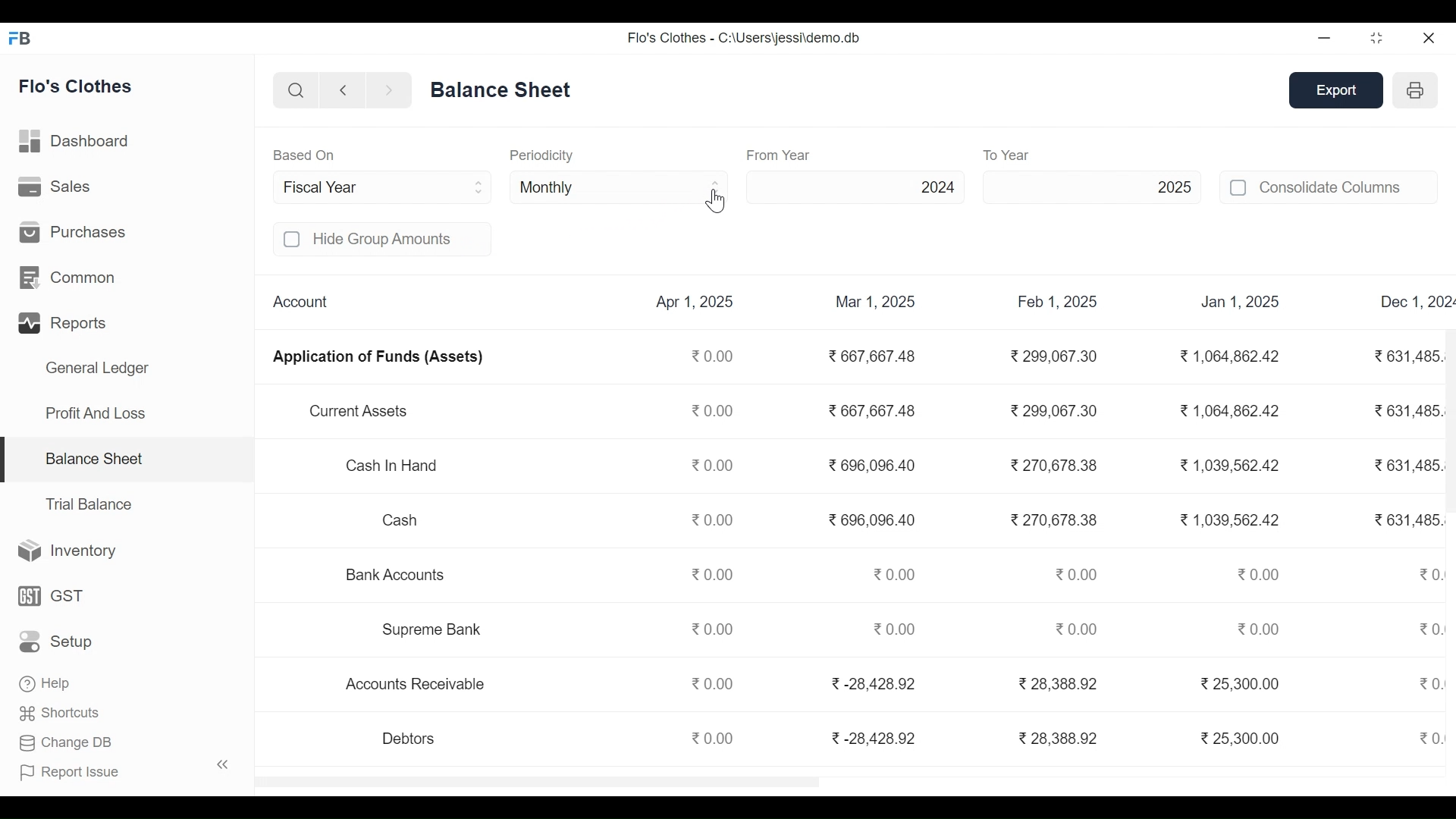  Describe the element at coordinates (807, 631) in the screenshot. I see `Supreme Bank % 0.00 % 0.00 % 0.00 % 0.00` at that location.